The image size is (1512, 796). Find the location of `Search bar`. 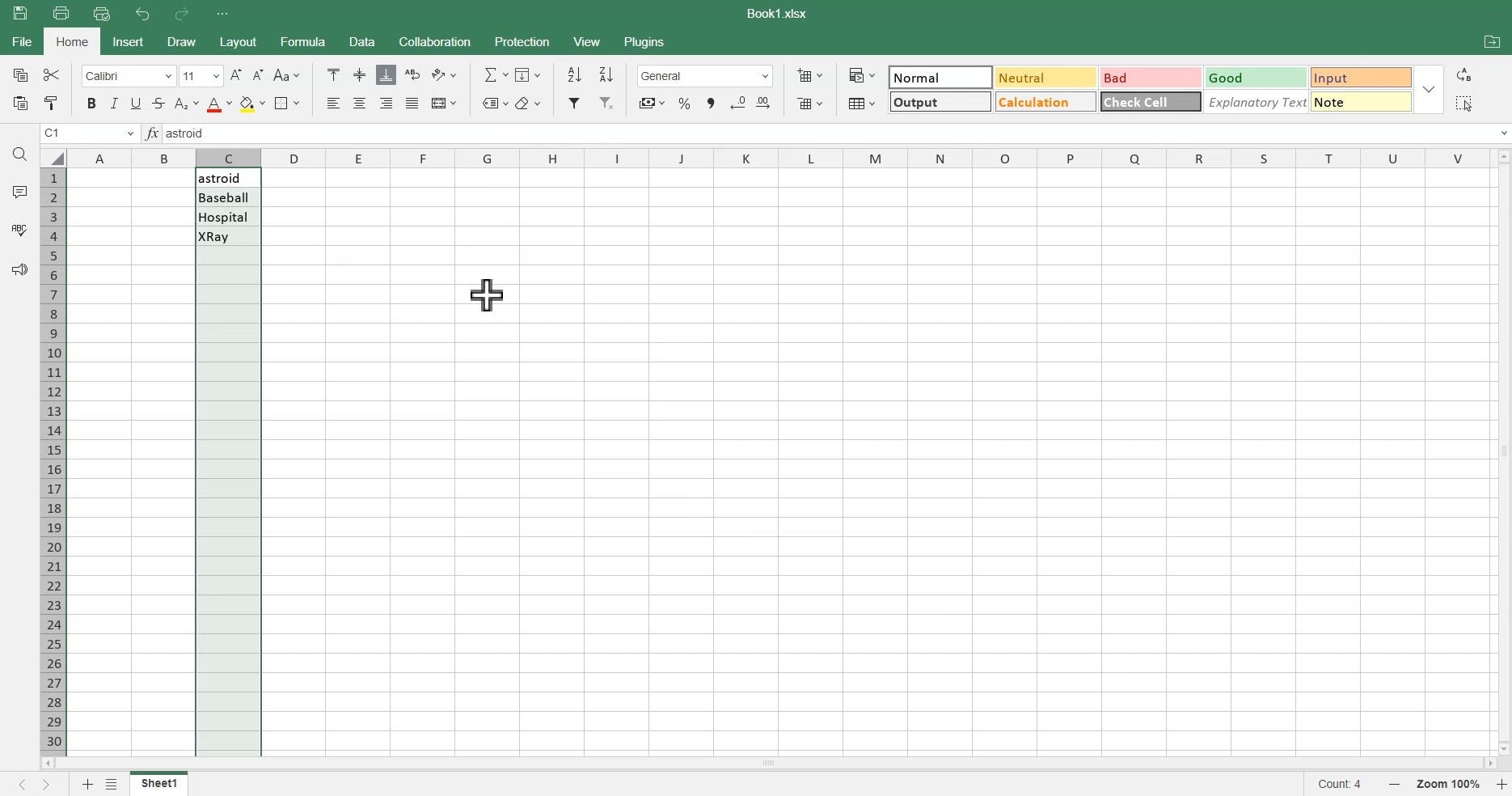

Search bar is located at coordinates (840, 134).